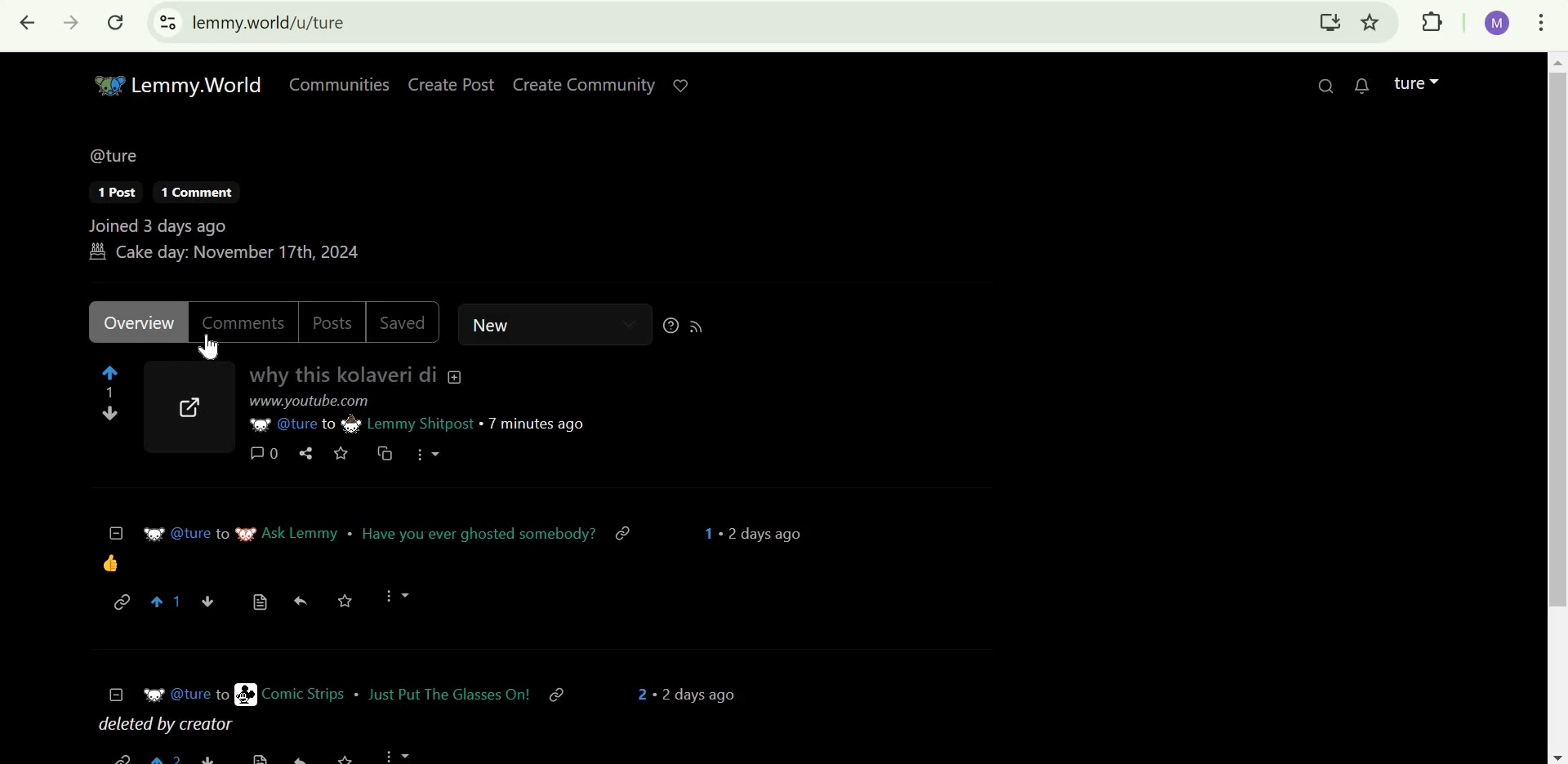 The height and width of the screenshot is (764, 1568). What do you see at coordinates (114, 153) in the screenshot?
I see `@ture` at bounding box center [114, 153].